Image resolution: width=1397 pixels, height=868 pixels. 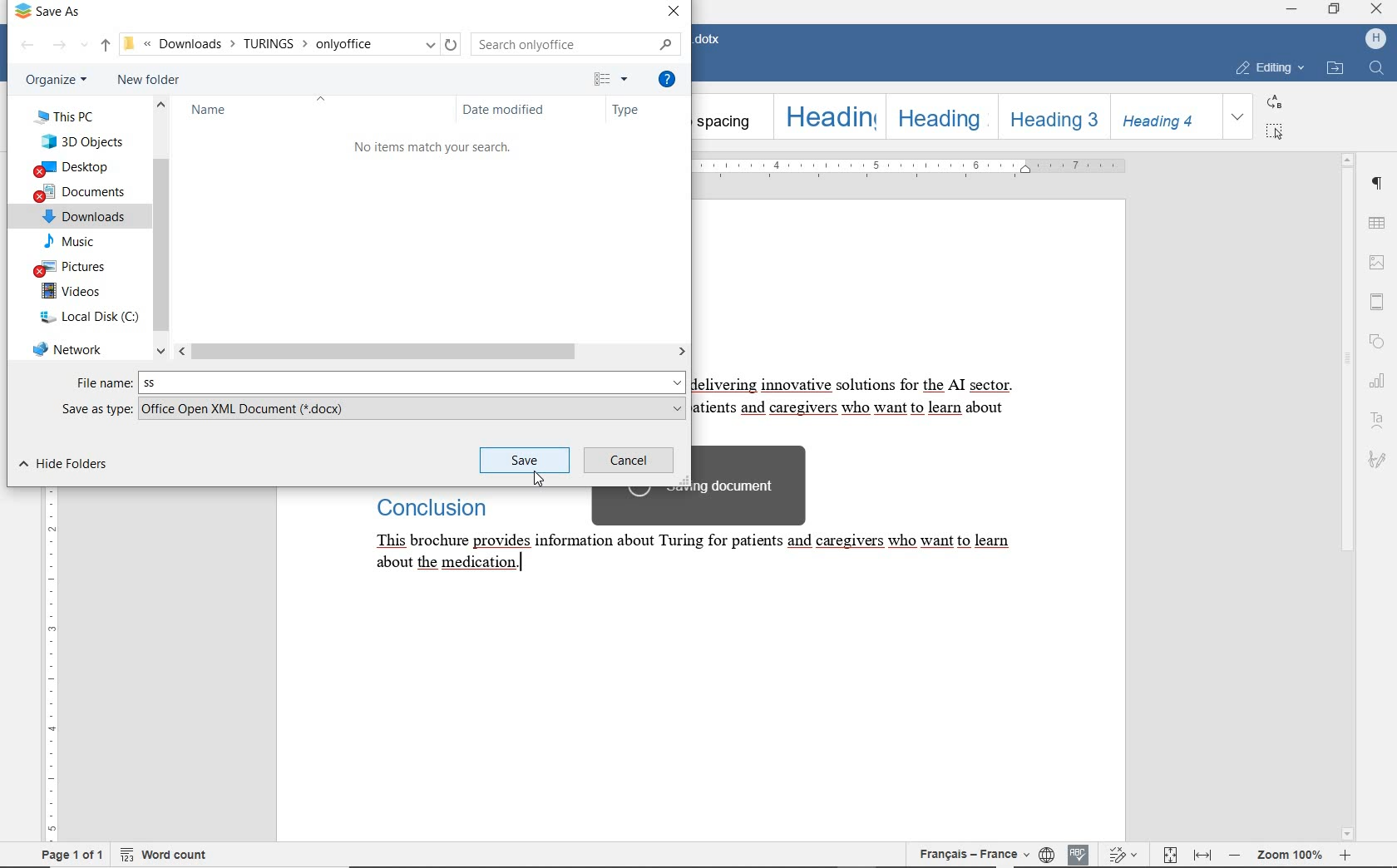 What do you see at coordinates (279, 44) in the screenshot?
I see `PATH` at bounding box center [279, 44].